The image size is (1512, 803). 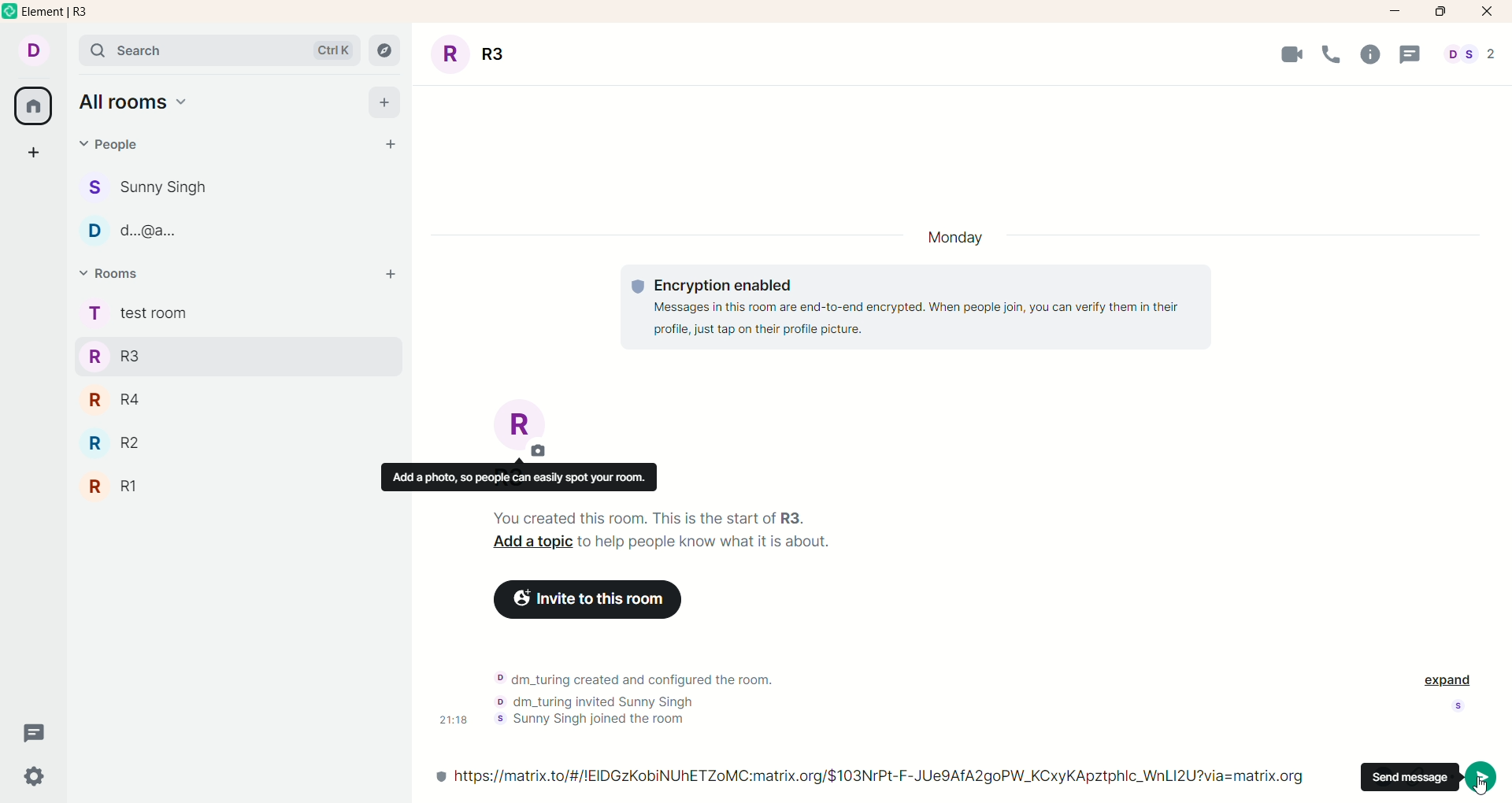 What do you see at coordinates (519, 476) in the screenshot?
I see `add a photo` at bounding box center [519, 476].